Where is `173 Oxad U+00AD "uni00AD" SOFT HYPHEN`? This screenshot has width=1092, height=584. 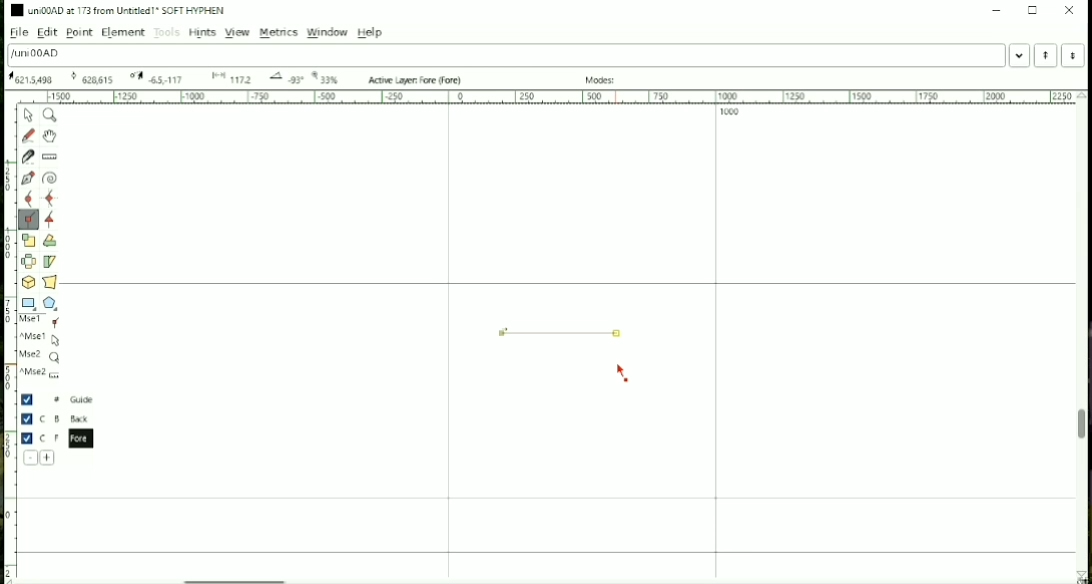
173 Oxad U+00AD "uni00AD" SOFT HYPHEN is located at coordinates (32, 79).